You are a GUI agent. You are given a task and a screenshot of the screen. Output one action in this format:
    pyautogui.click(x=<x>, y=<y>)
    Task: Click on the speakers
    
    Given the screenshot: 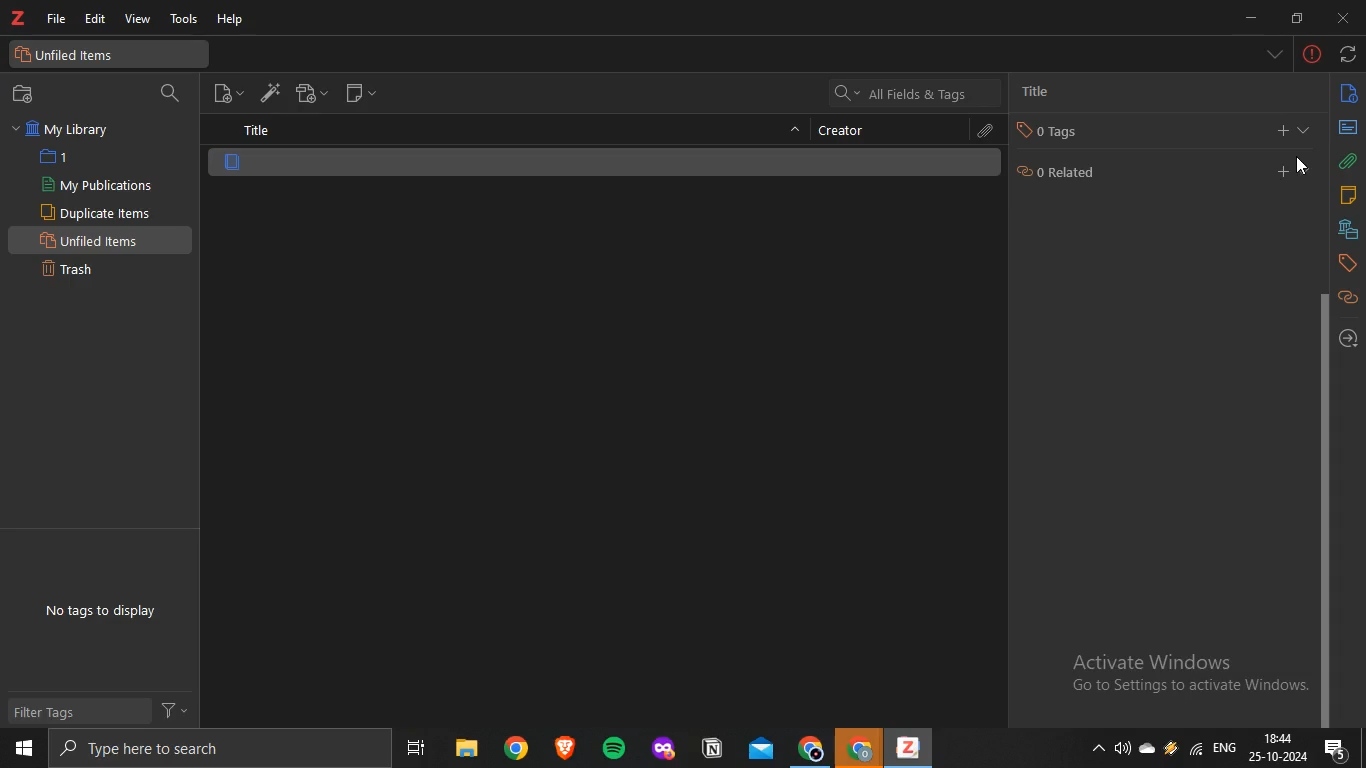 What is the action you would take?
    pyautogui.click(x=1121, y=749)
    